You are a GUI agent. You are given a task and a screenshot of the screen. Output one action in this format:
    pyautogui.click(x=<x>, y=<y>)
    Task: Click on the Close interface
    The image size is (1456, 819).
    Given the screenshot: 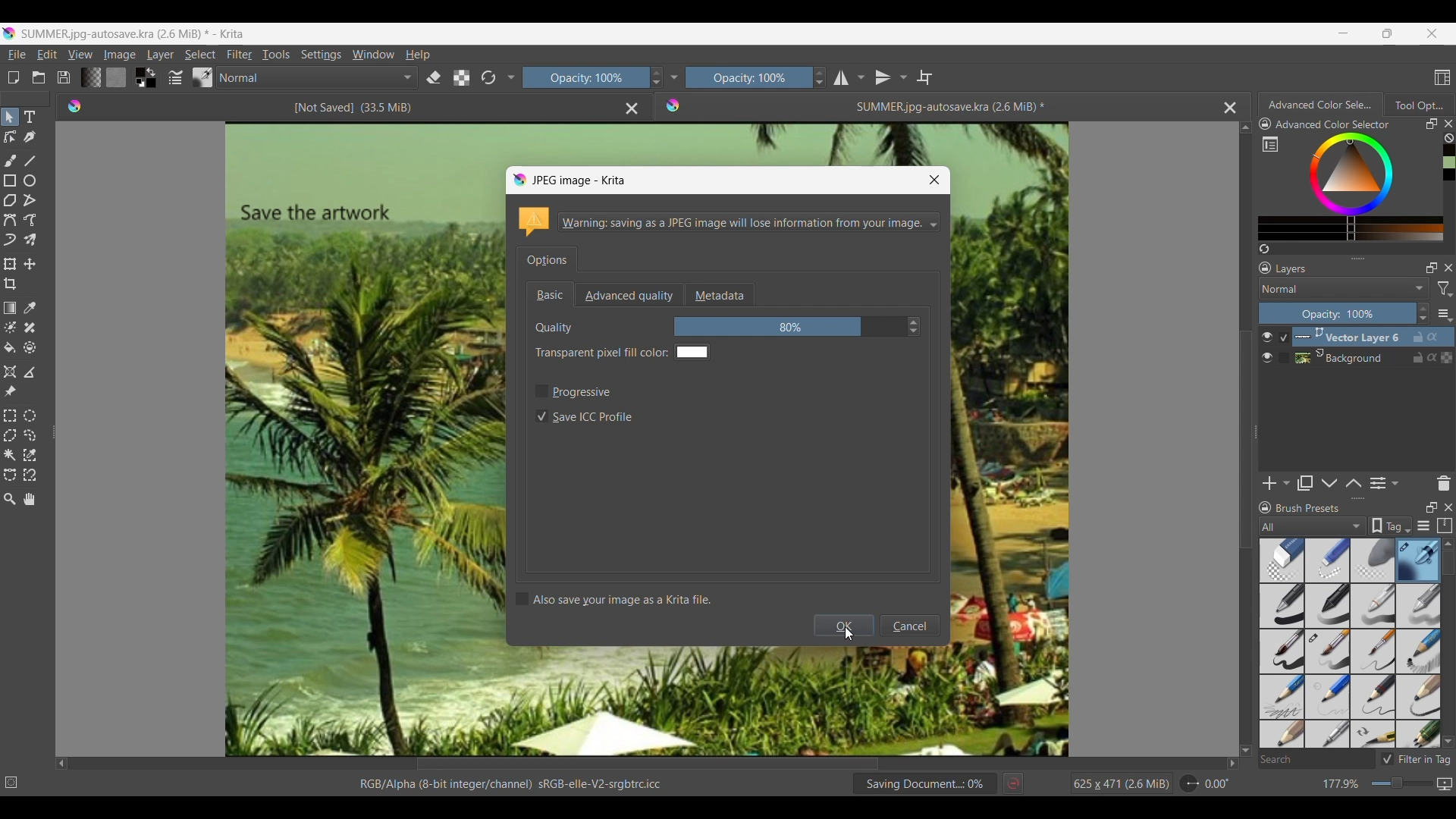 What is the action you would take?
    pyautogui.click(x=1432, y=33)
    